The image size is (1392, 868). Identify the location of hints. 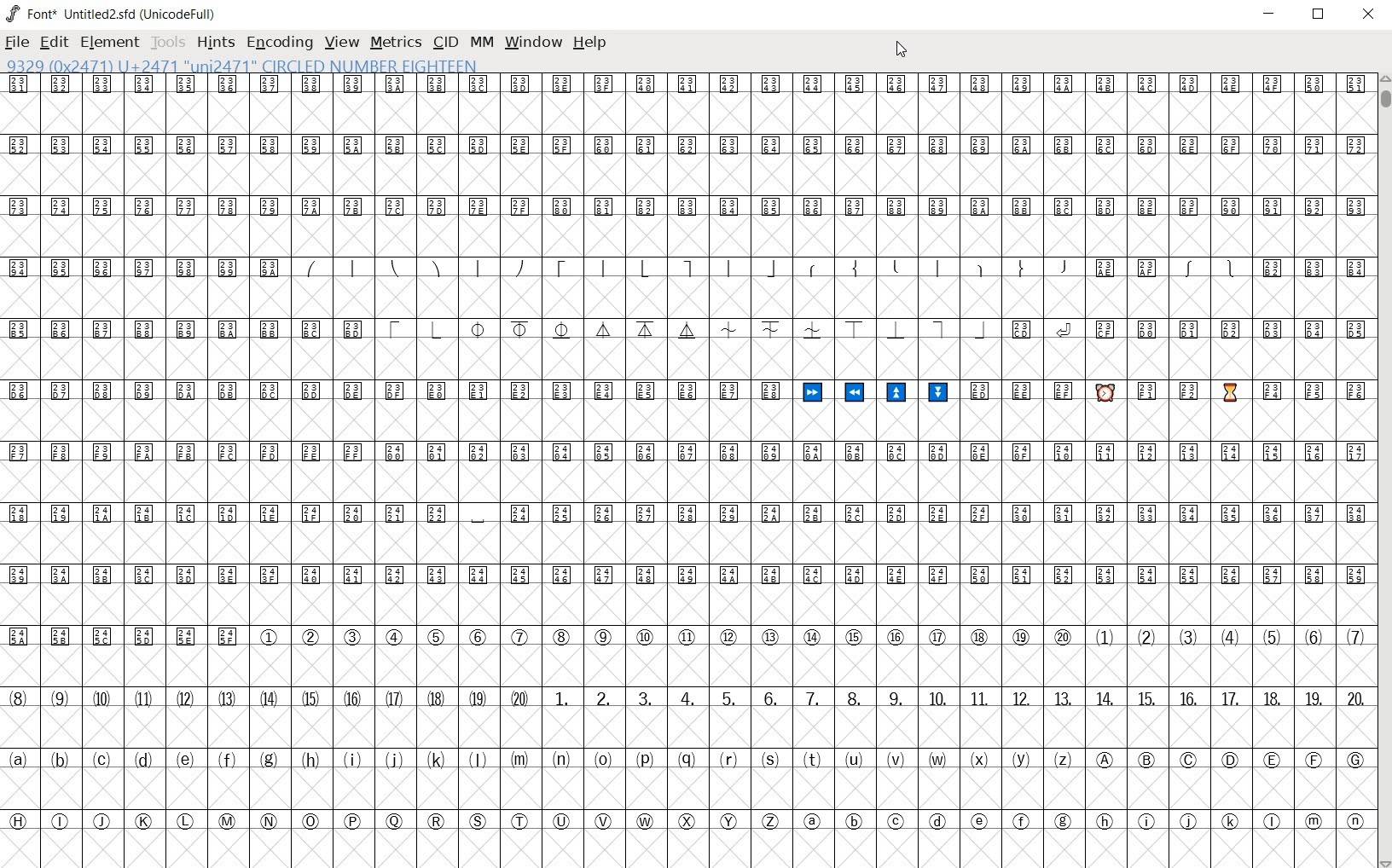
(216, 44).